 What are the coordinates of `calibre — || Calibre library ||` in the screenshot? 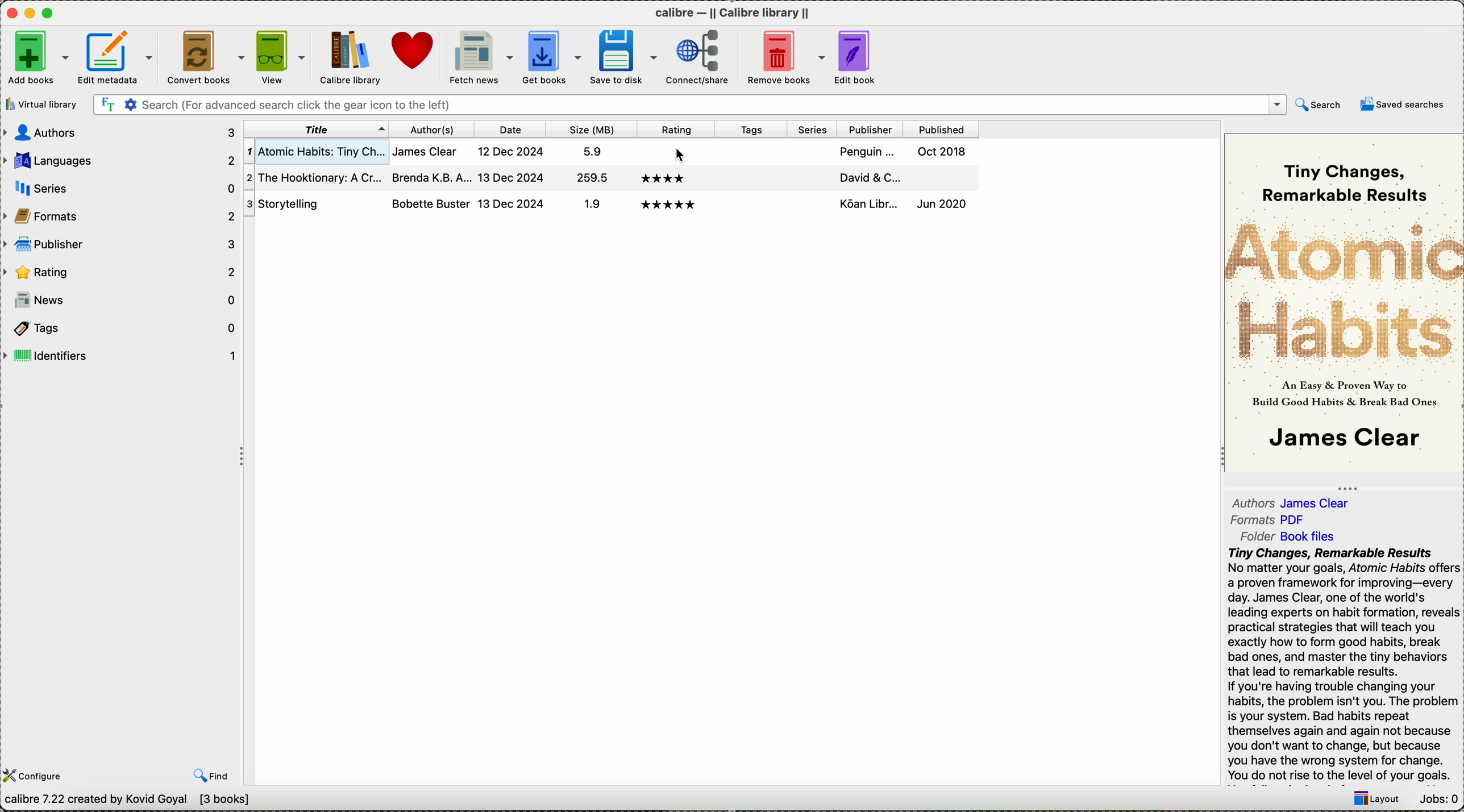 It's located at (737, 11).